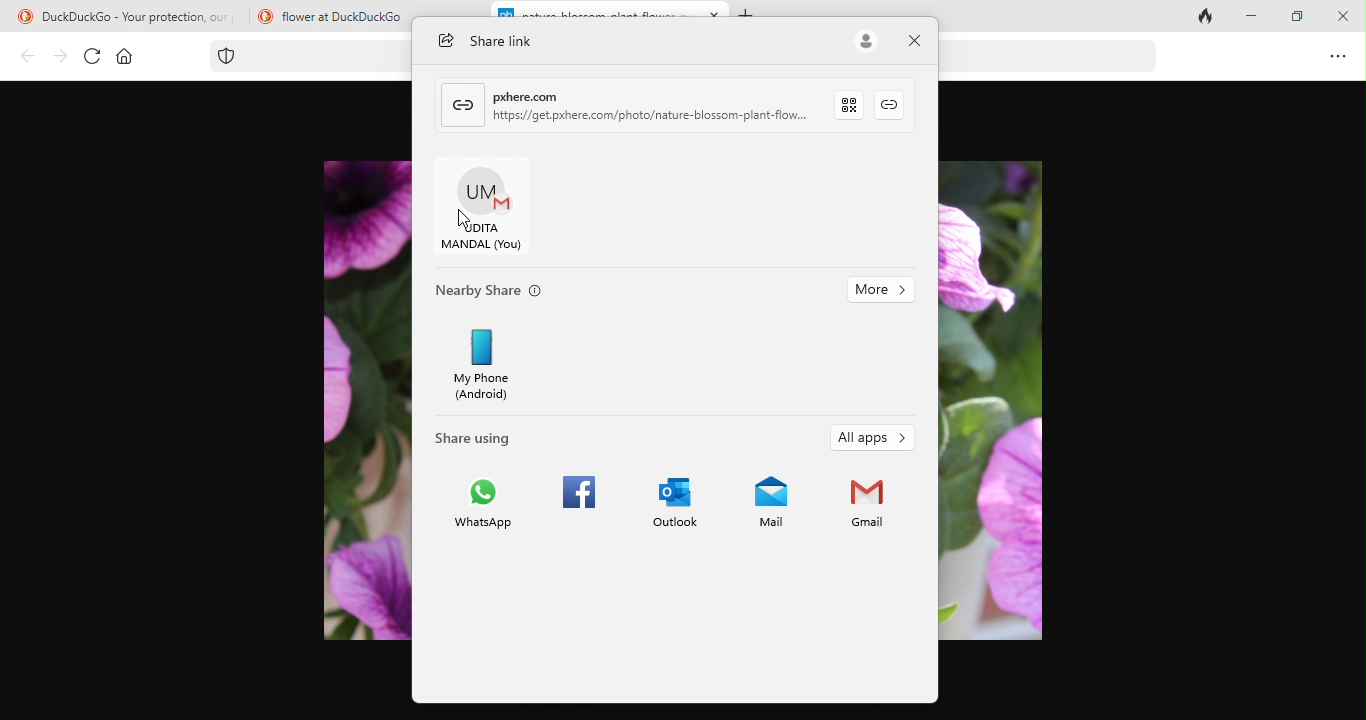 This screenshot has height=720, width=1366. What do you see at coordinates (881, 291) in the screenshot?
I see `more` at bounding box center [881, 291].